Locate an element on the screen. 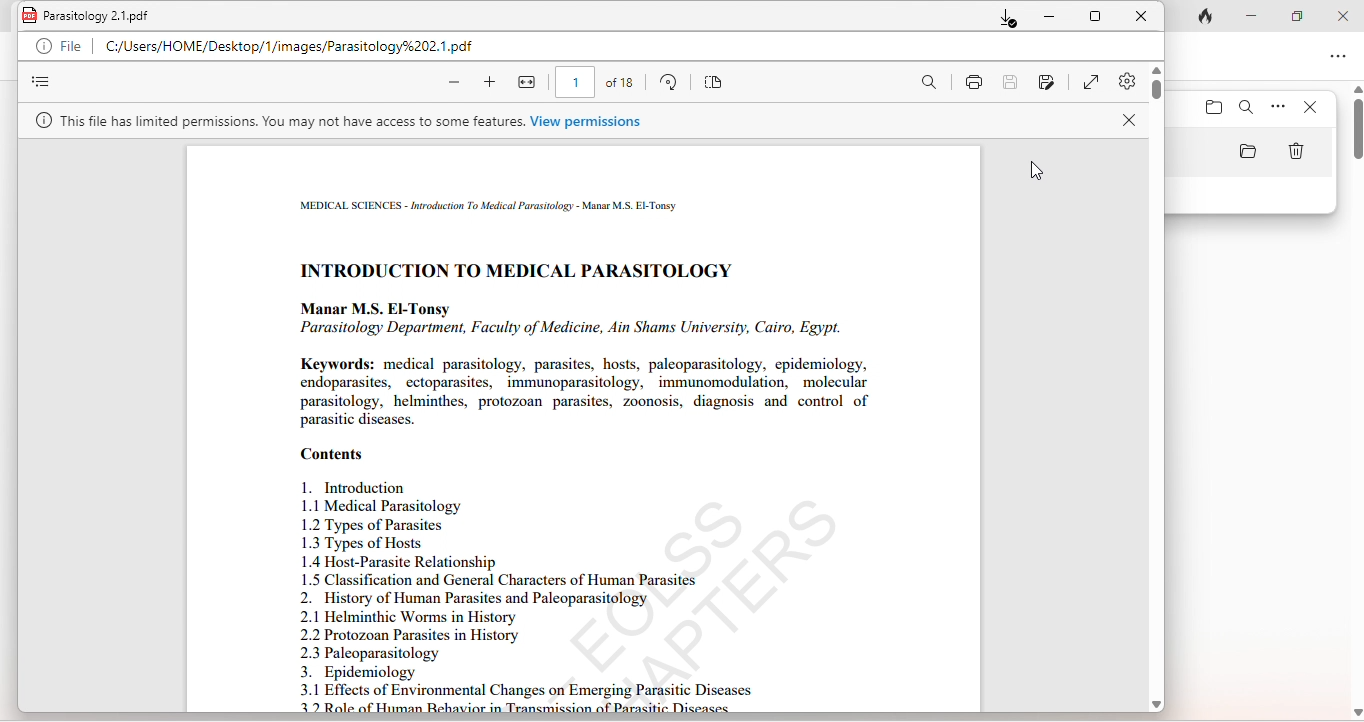 The height and width of the screenshot is (722, 1364). cursor movement is located at coordinates (1038, 171).